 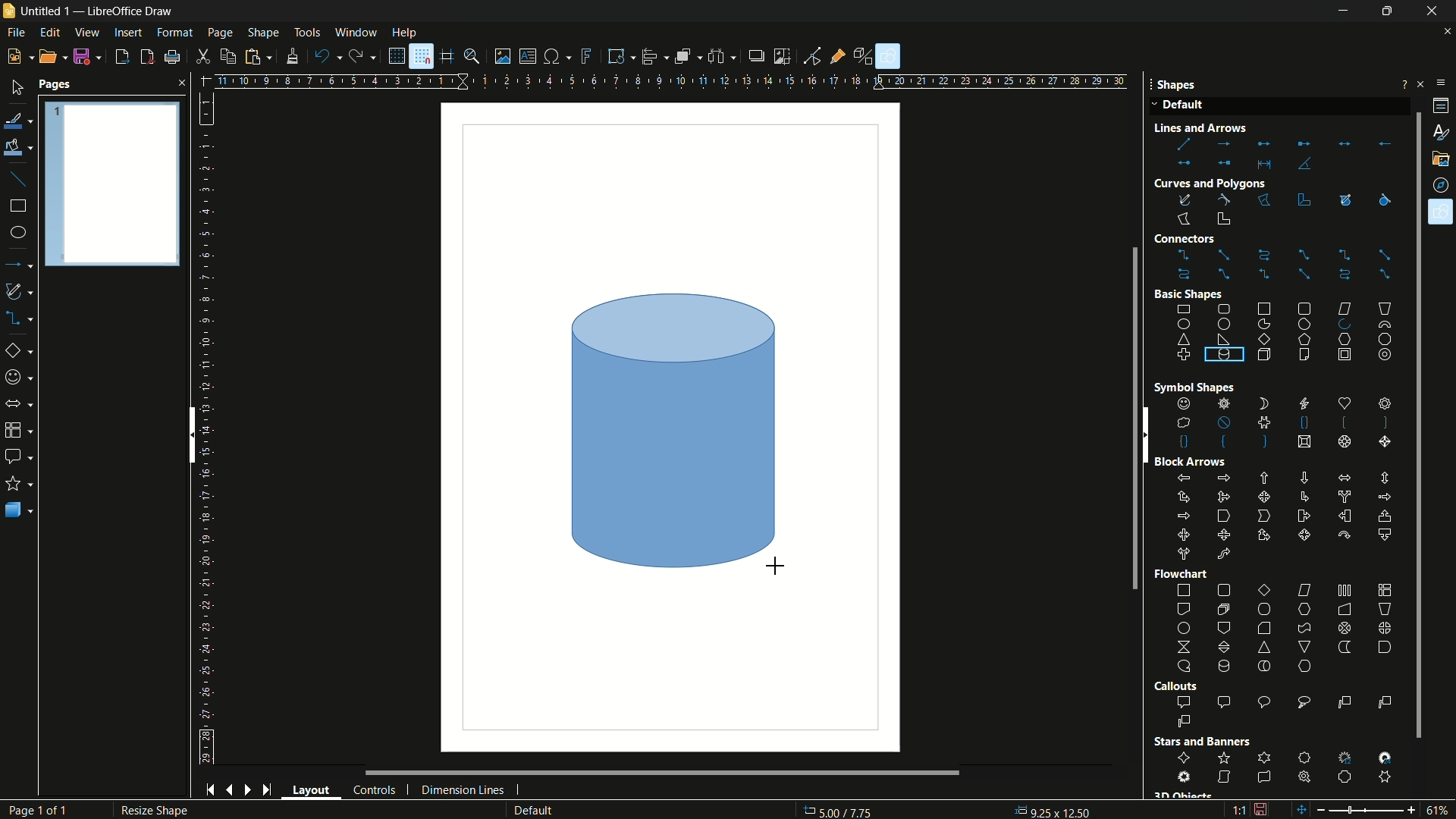 I want to click on shapes, so click(x=1441, y=212).